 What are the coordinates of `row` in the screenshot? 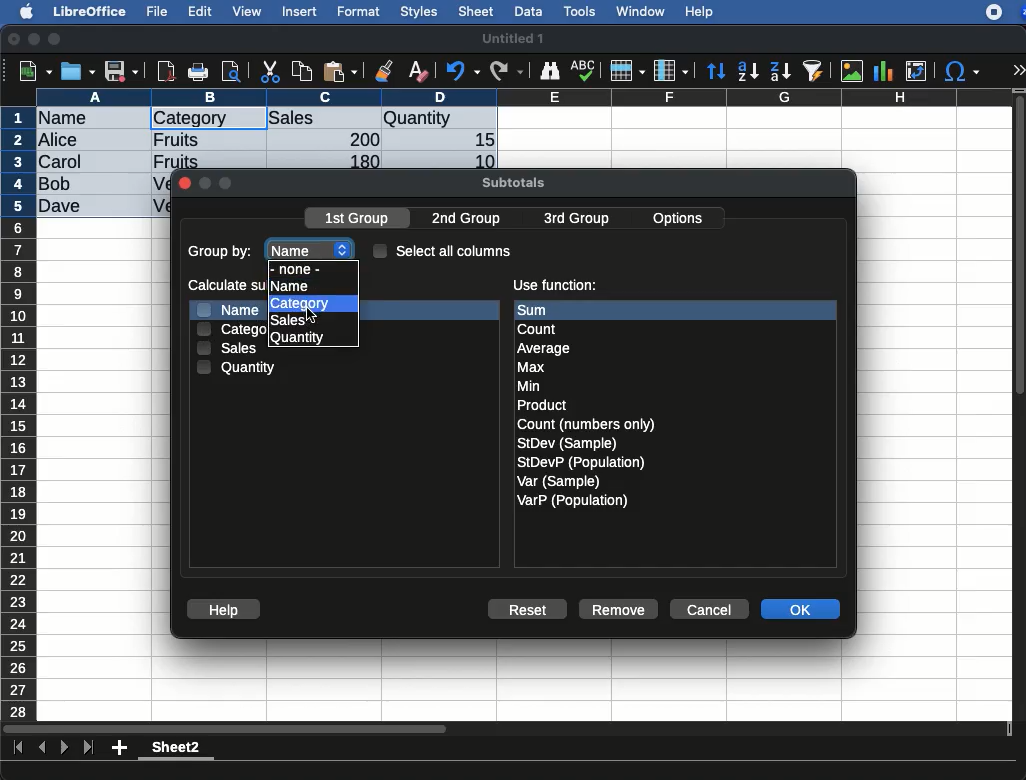 It's located at (20, 413).